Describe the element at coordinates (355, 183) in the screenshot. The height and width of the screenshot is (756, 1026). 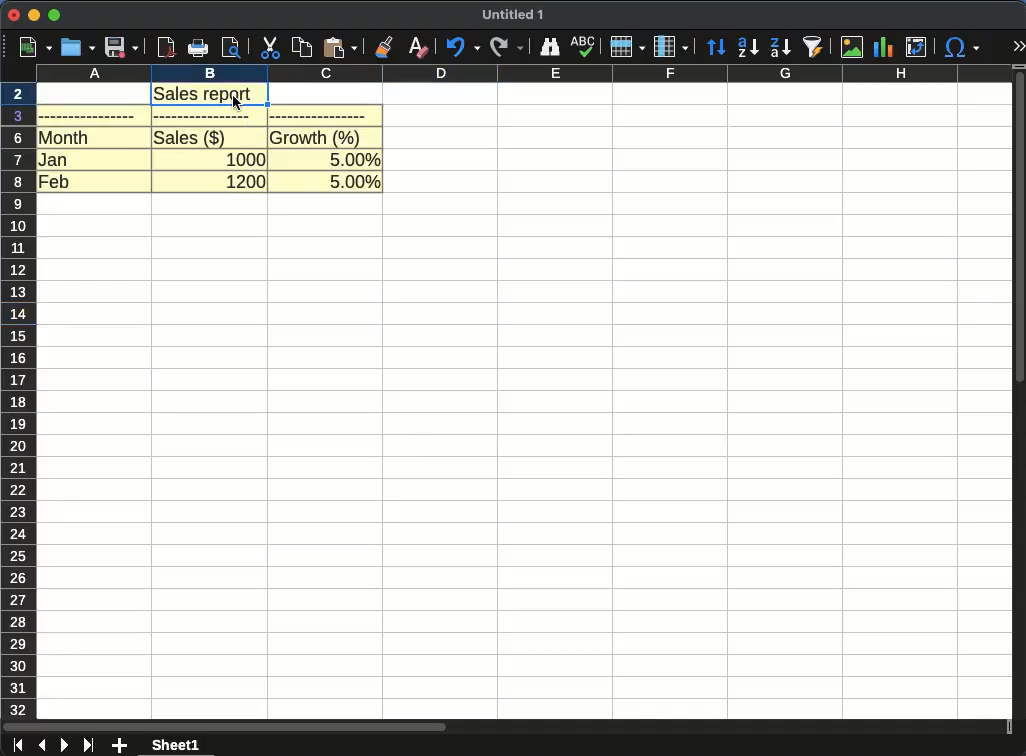
I see `5.00%` at that location.